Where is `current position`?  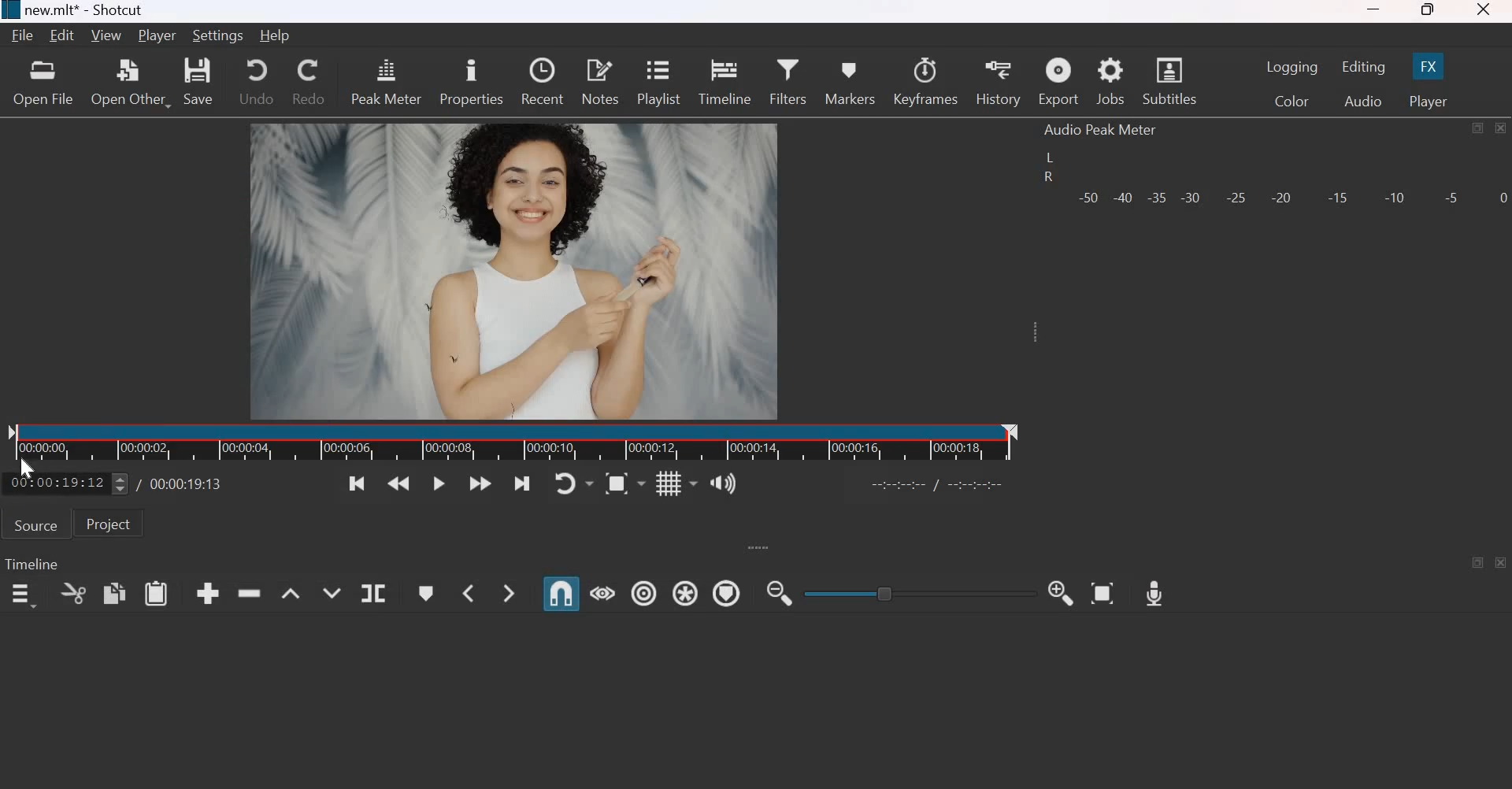
current position is located at coordinates (66, 483).